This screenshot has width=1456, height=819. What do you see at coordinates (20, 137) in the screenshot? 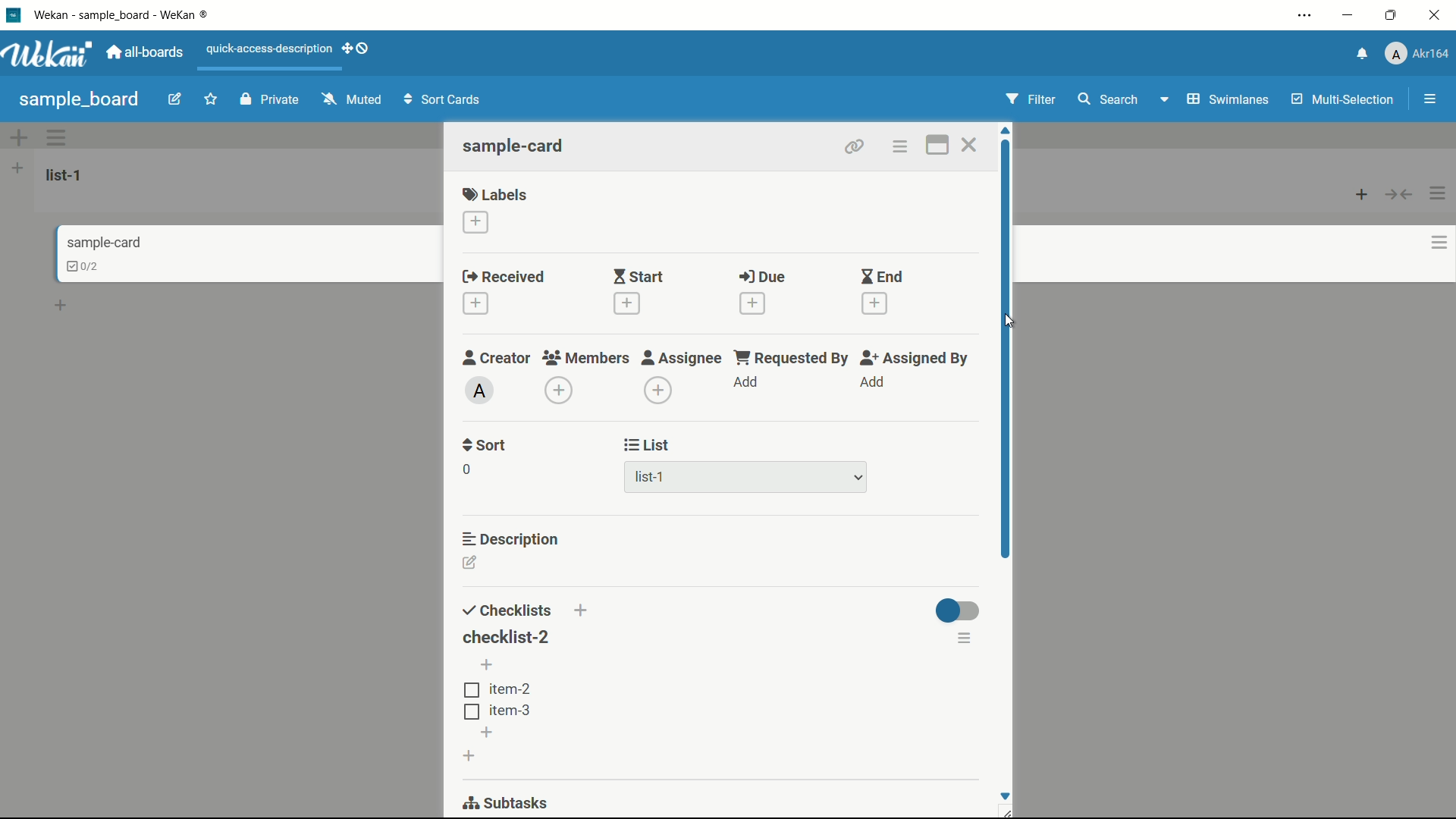
I see `add swimlane` at bounding box center [20, 137].